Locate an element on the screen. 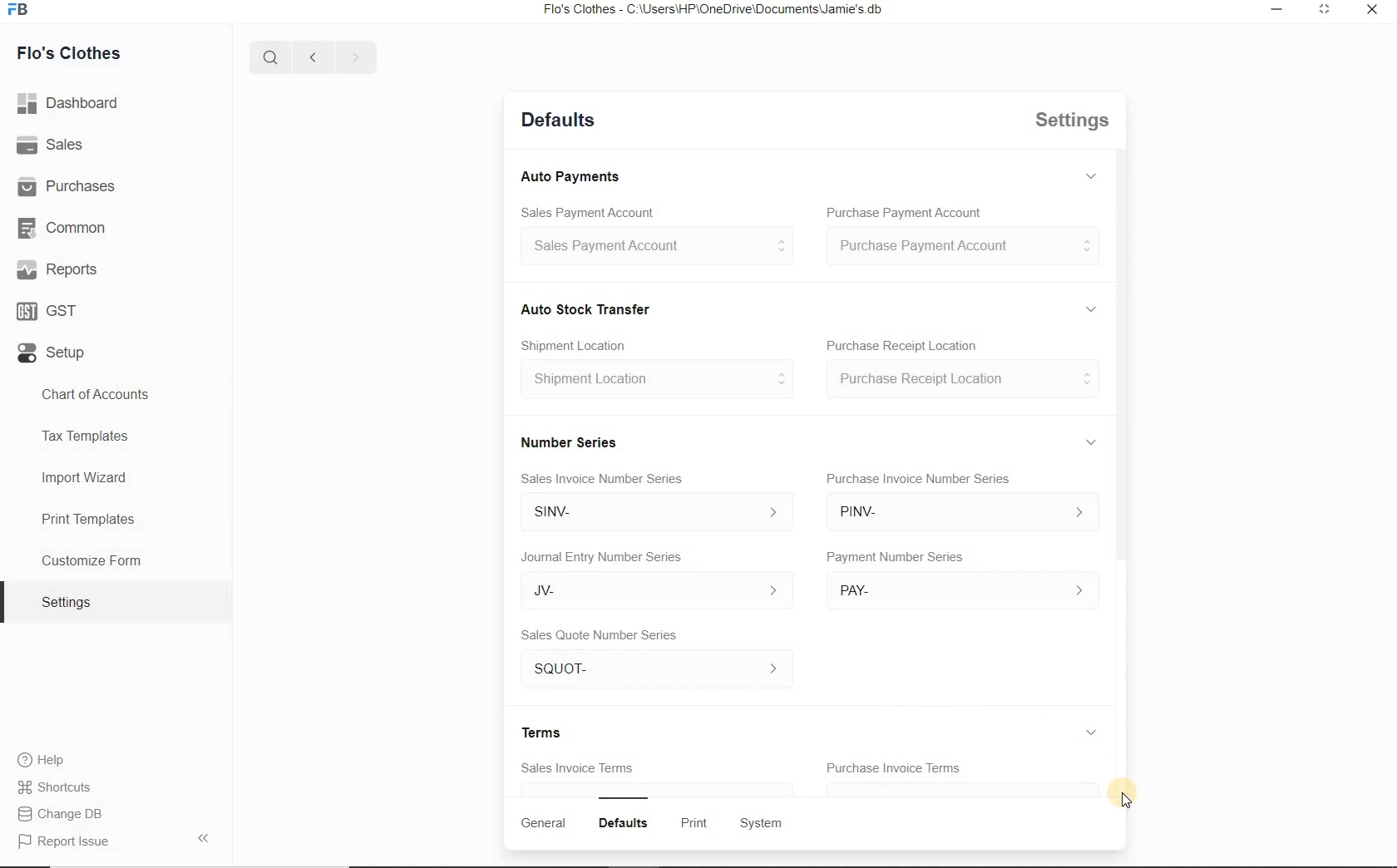 Image resolution: width=1397 pixels, height=868 pixels. Sales is located at coordinates (50, 144).